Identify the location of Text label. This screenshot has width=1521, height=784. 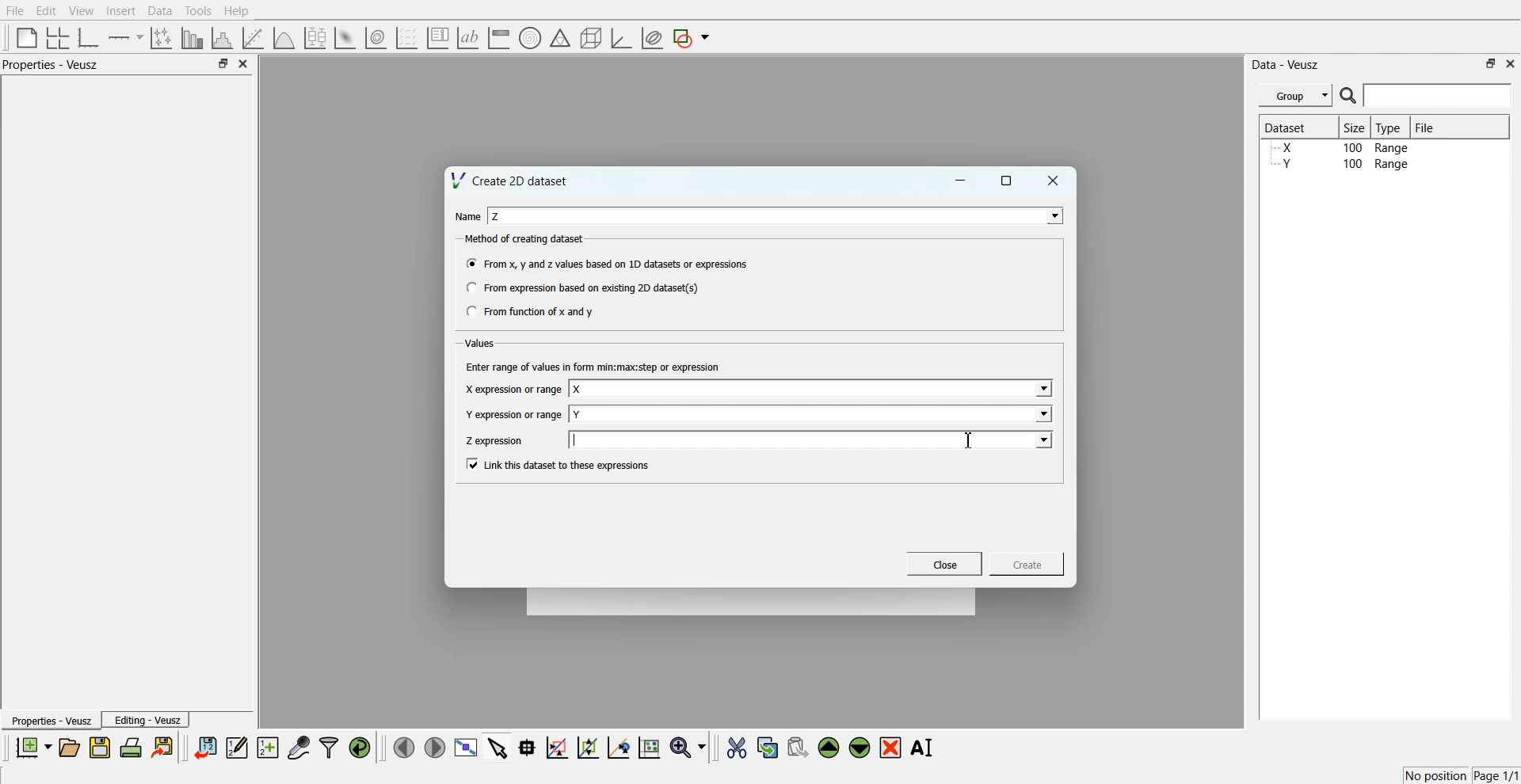
(468, 38).